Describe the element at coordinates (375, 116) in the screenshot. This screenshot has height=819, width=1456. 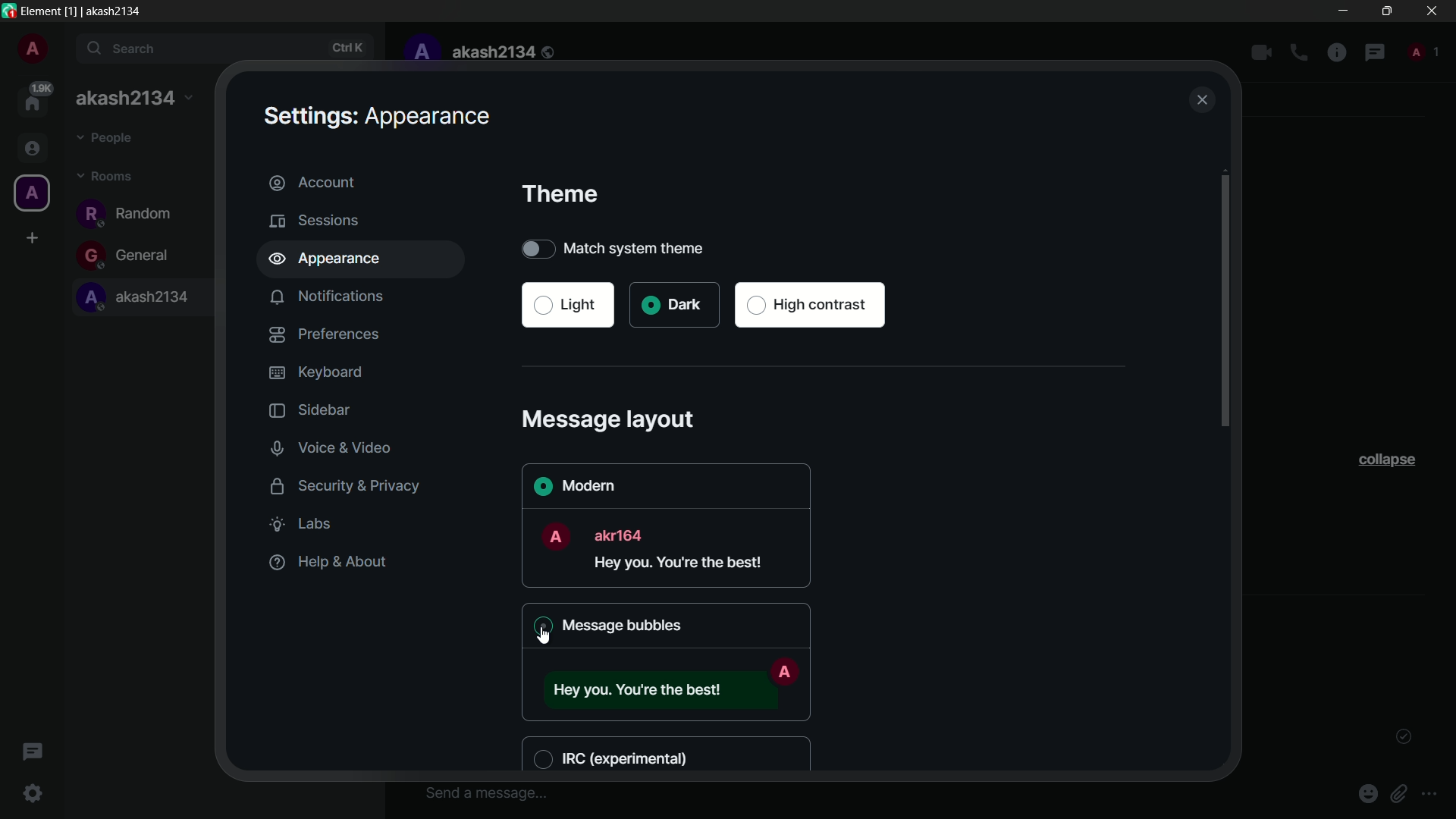
I see `Settings: Appearance` at that location.